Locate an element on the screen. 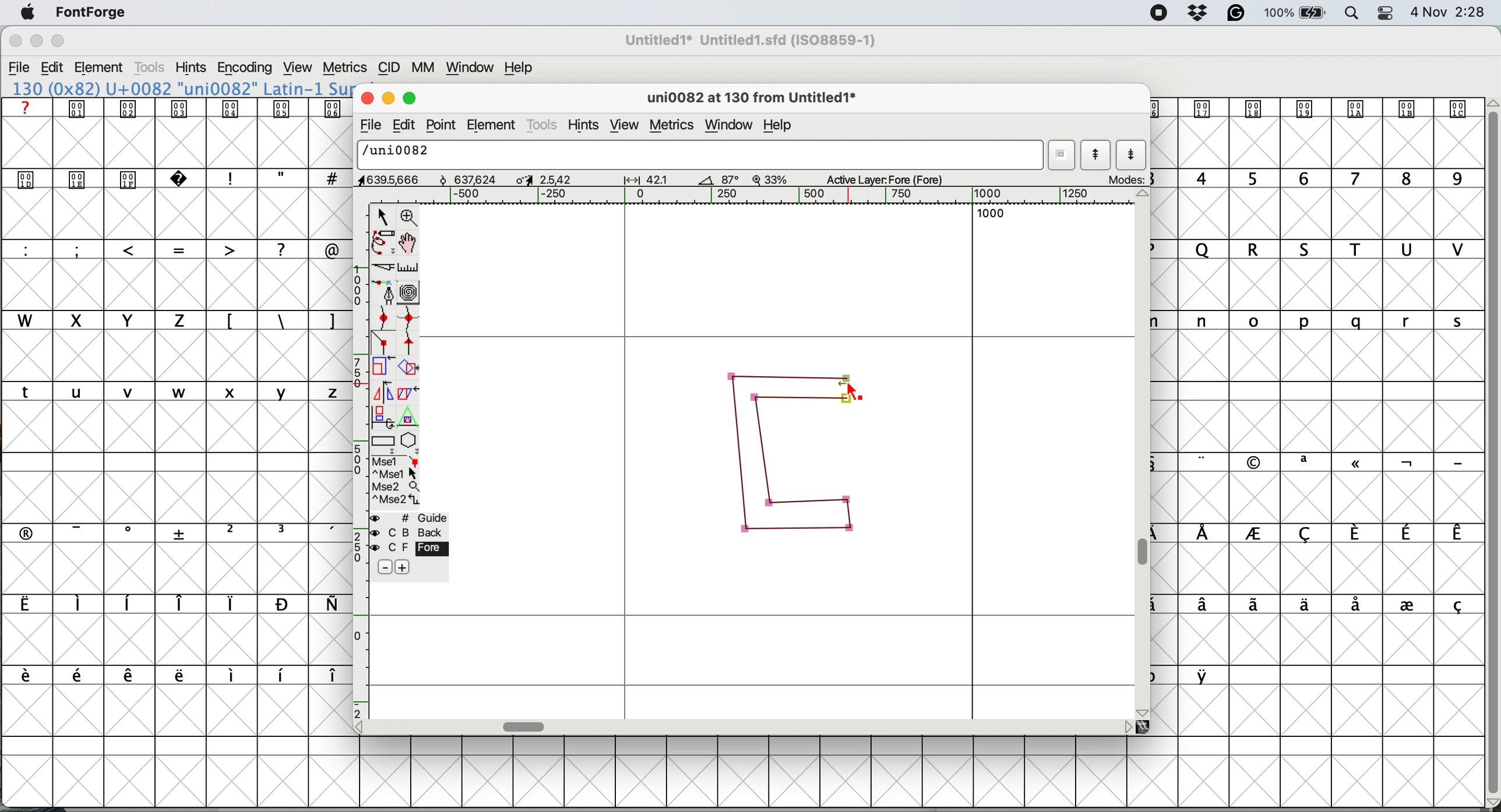 The image size is (1501, 812). File name is located at coordinates (747, 40).